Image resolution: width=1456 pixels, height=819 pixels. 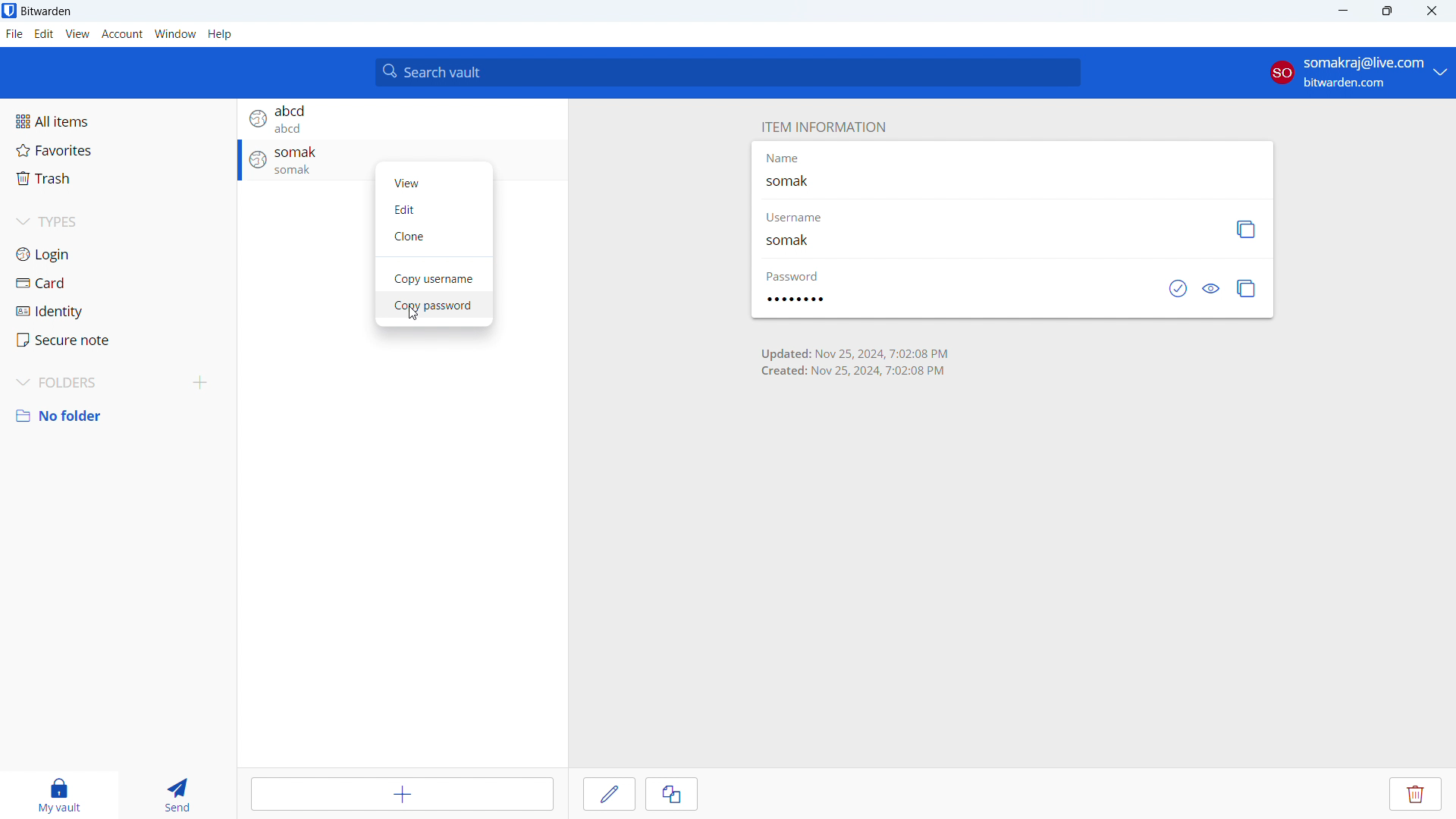 I want to click on view, so click(x=77, y=34).